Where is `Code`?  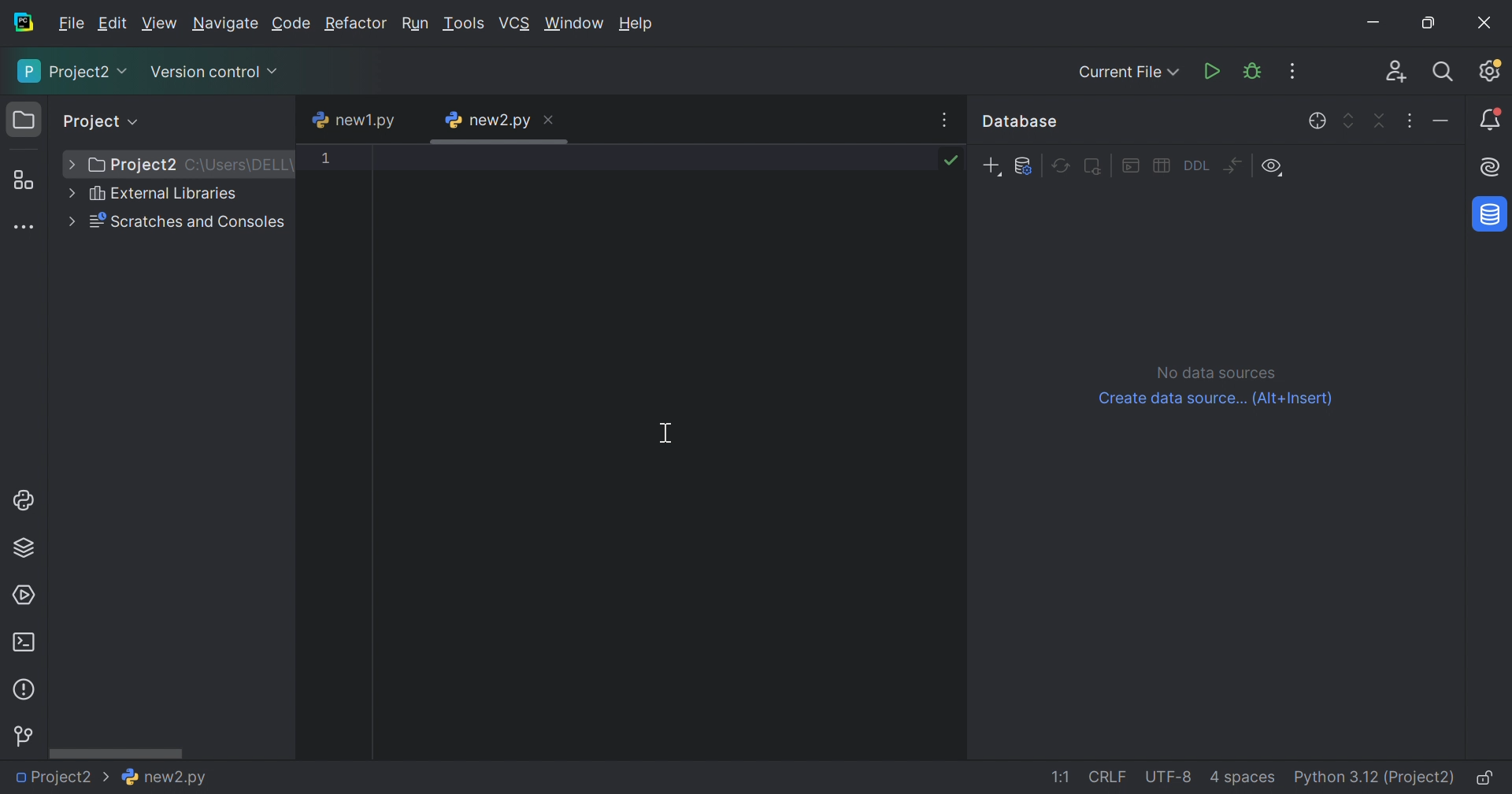
Code is located at coordinates (292, 24).